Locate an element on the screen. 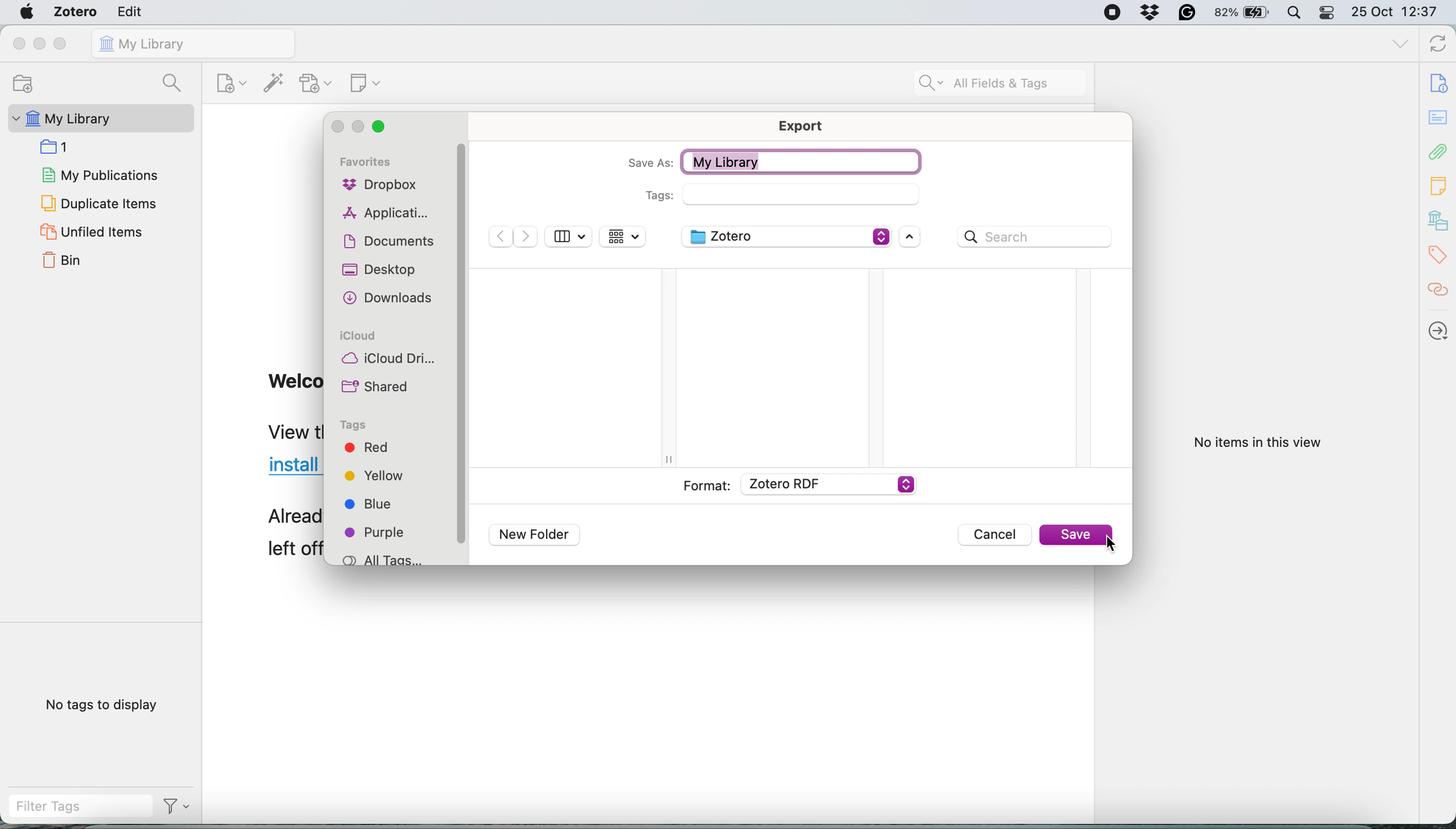  note is located at coordinates (1438, 188).